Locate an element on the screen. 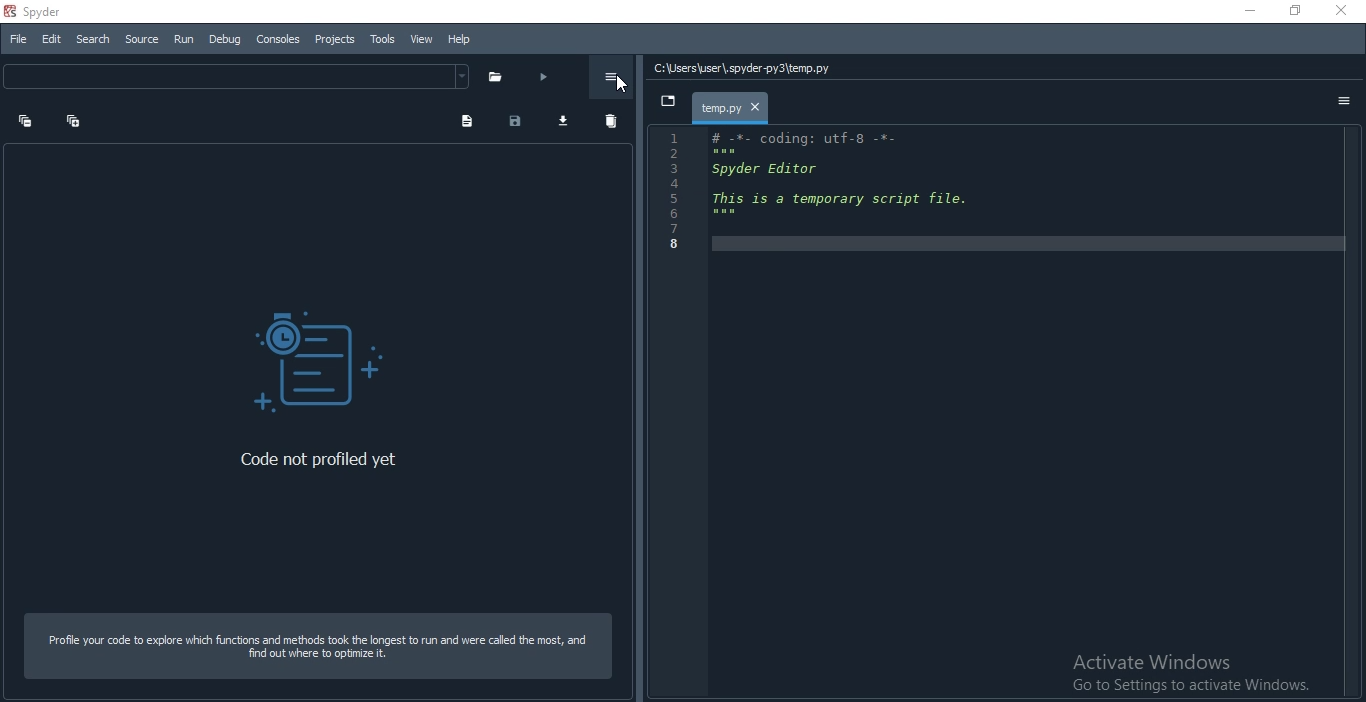 The image size is (1366, 702). # -*- coding: utf-8 -*-
spyder Editor
This is a temporary script file. is located at coordinates (857, 177).